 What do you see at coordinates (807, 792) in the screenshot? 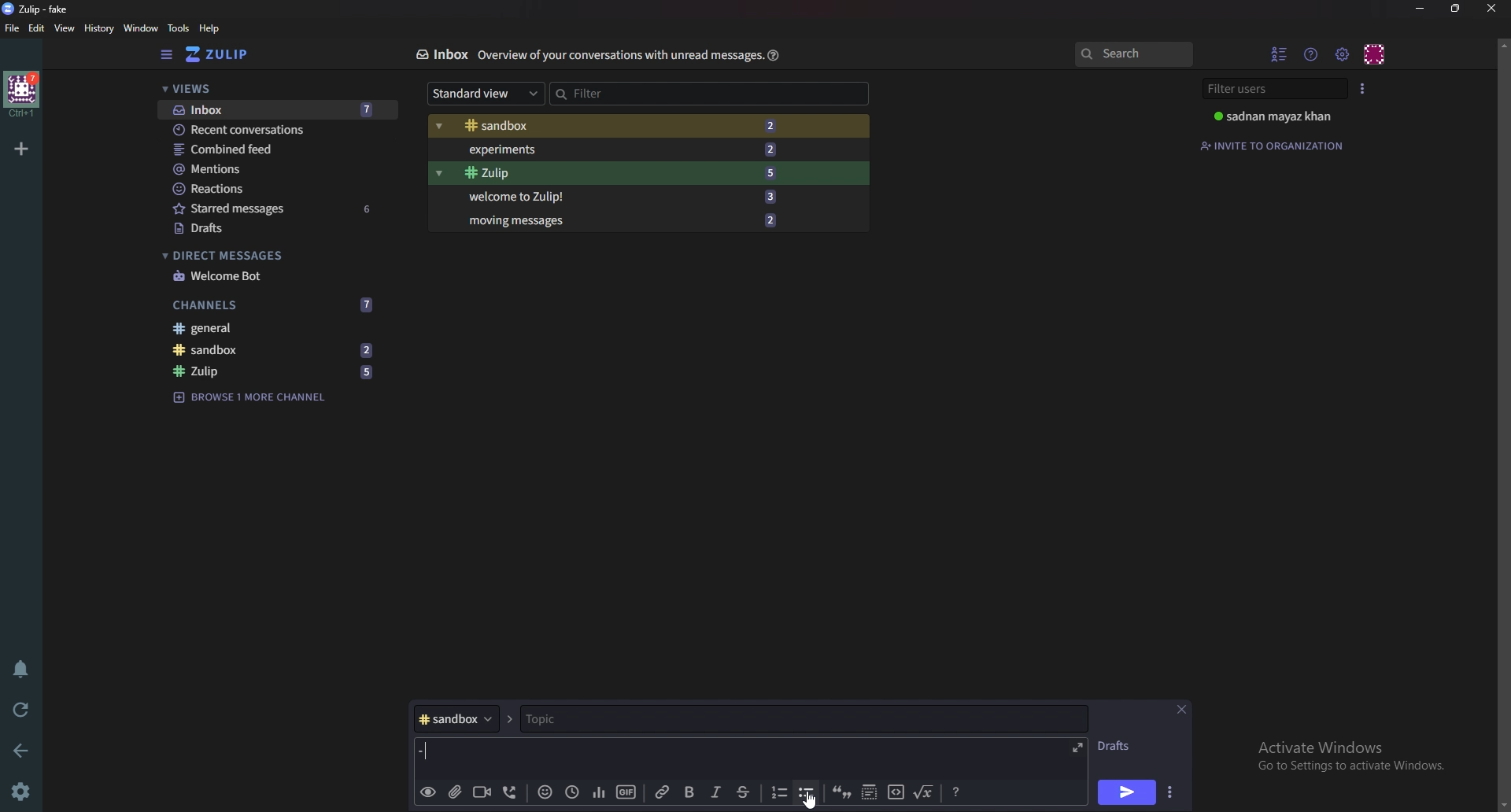
I see `Bullet list` at bounding box center [807, 792].